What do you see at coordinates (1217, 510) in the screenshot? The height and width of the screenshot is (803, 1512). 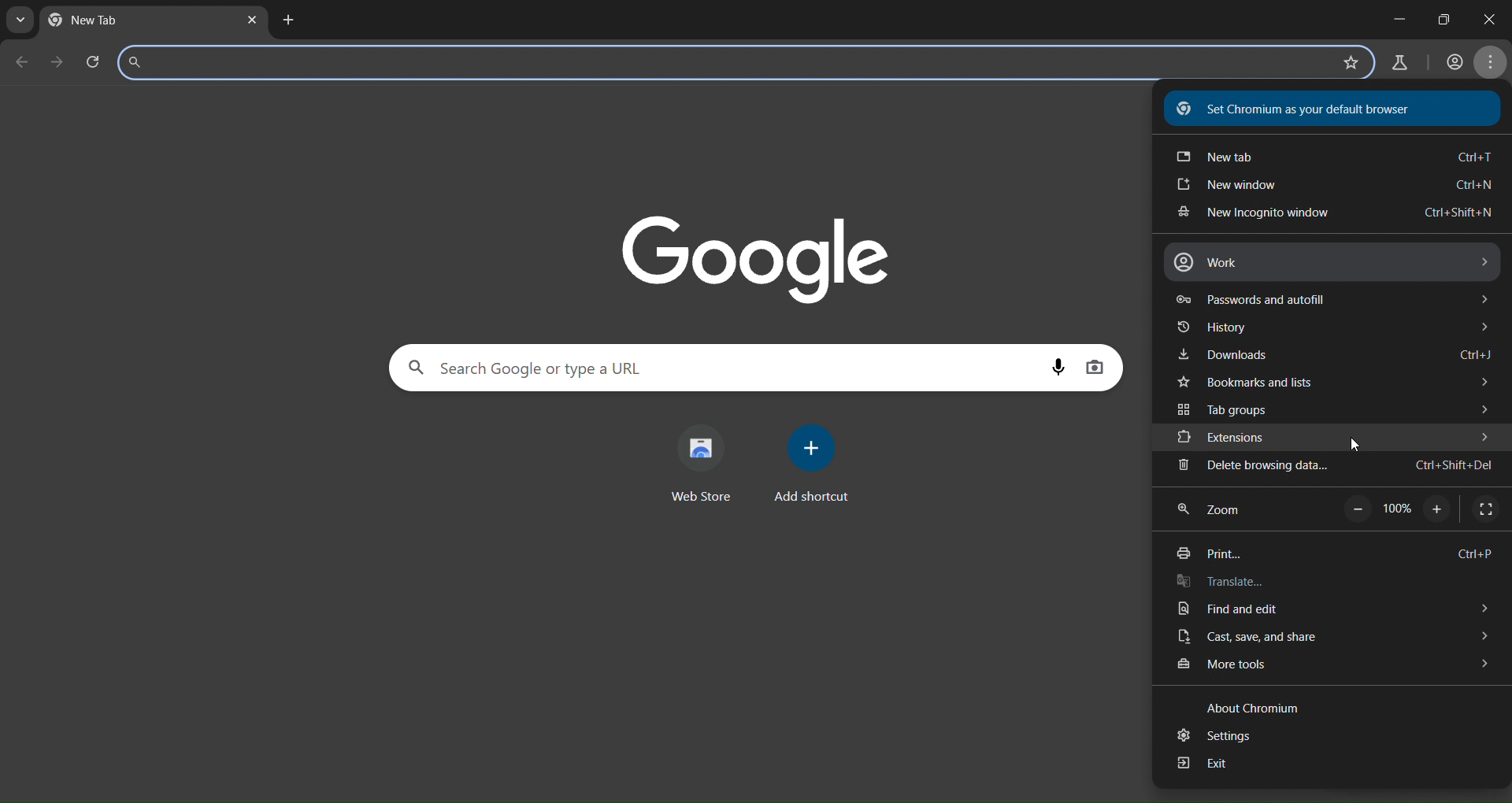 I see `zoom` at bounding box center [1217, 510].